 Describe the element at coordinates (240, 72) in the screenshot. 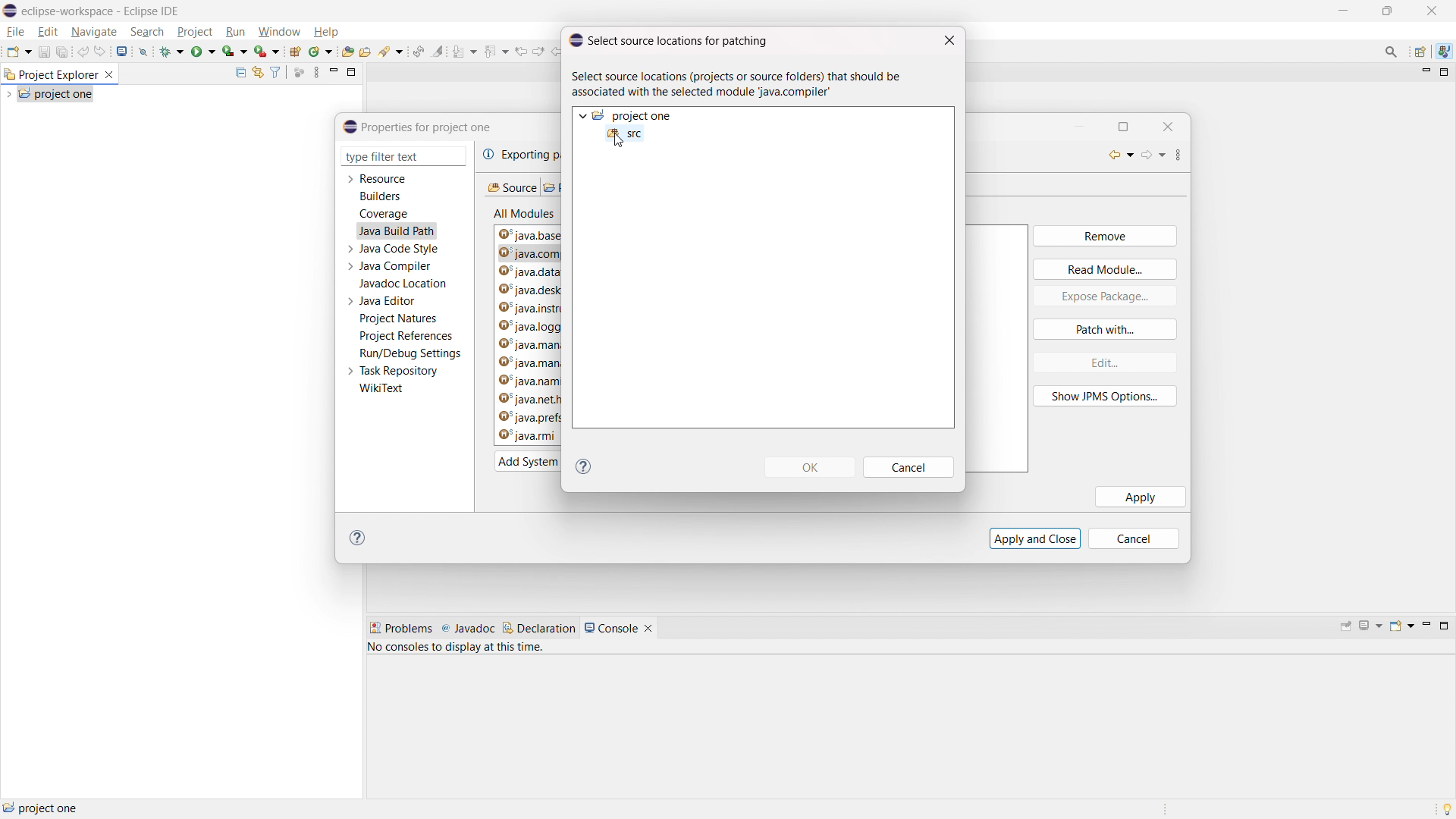

I see `collapse all` at that location.